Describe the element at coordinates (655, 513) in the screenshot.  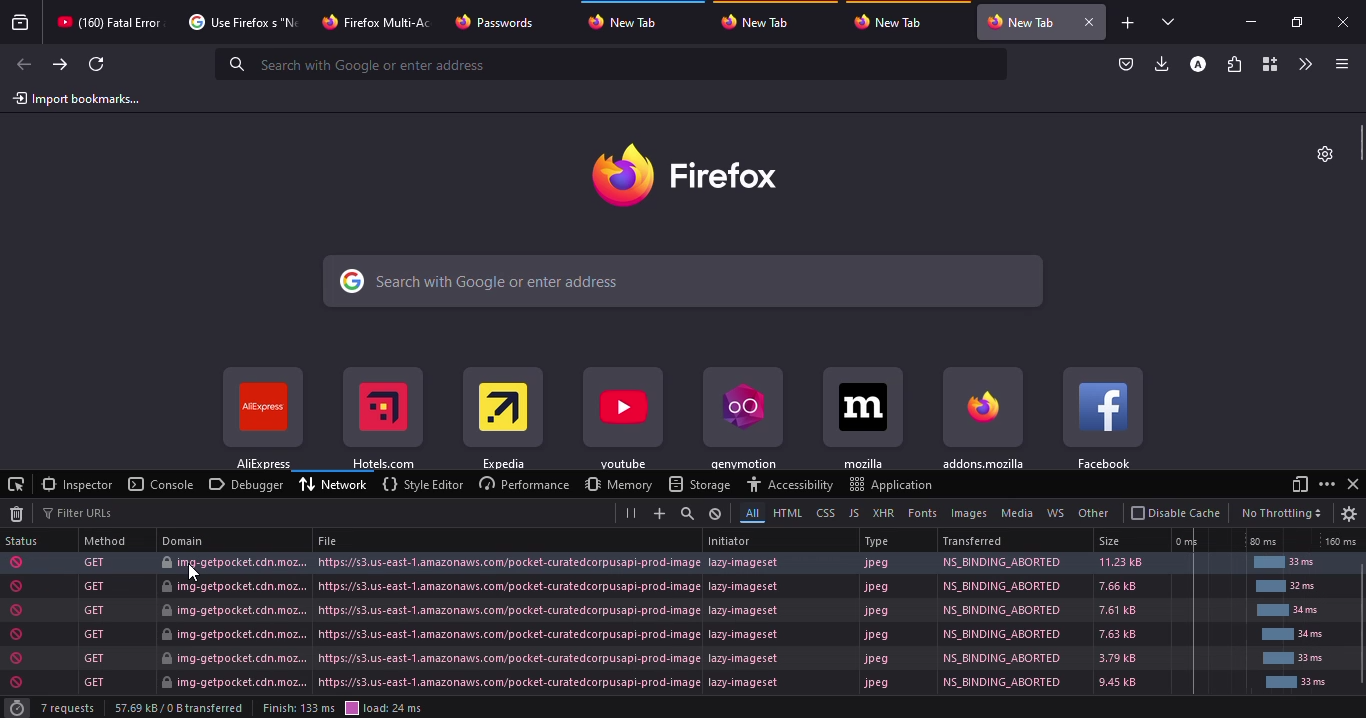
I see `add` at that location.